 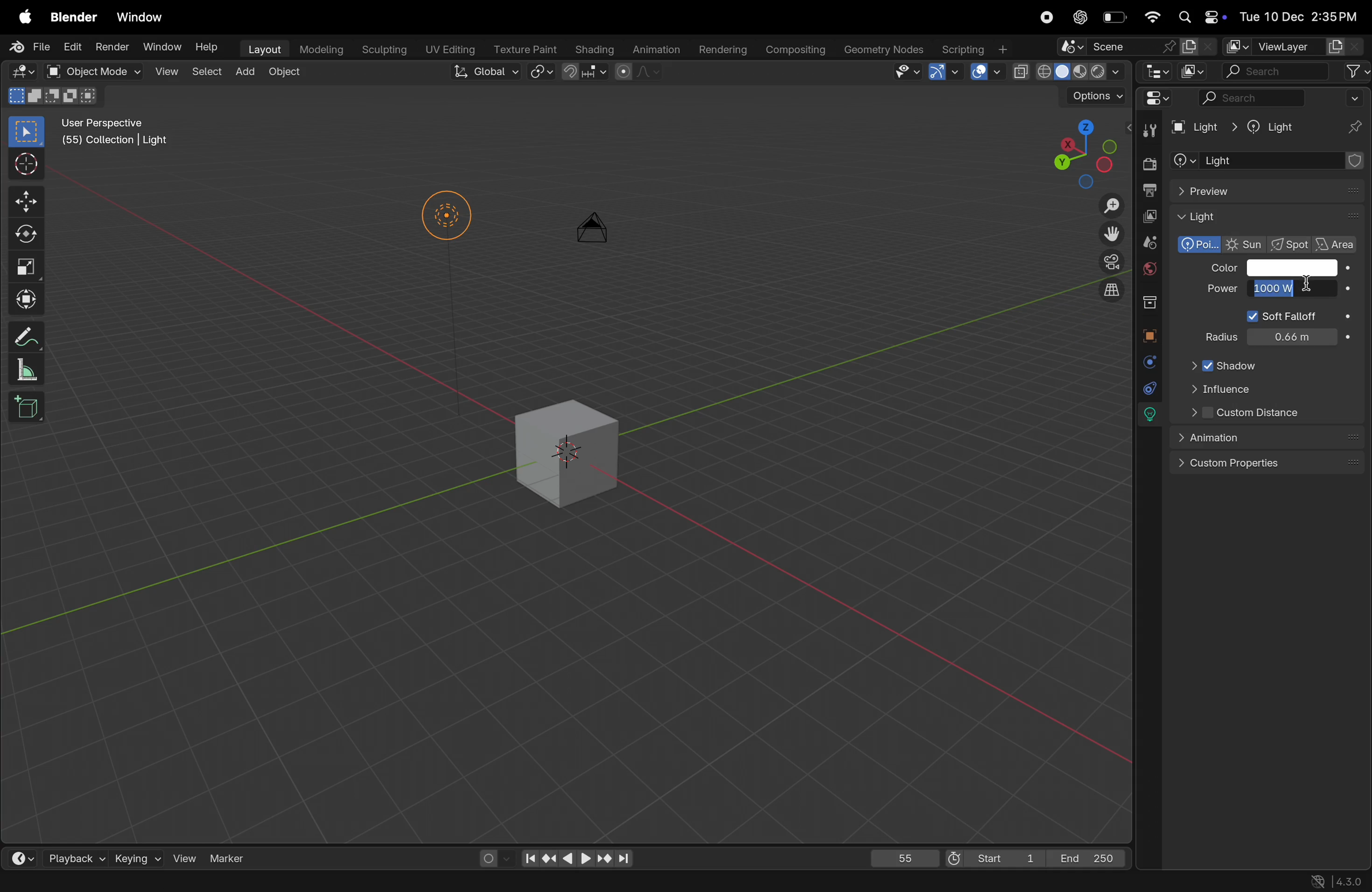 I want to click on proportional editing objects, so click(x=635, y=74).